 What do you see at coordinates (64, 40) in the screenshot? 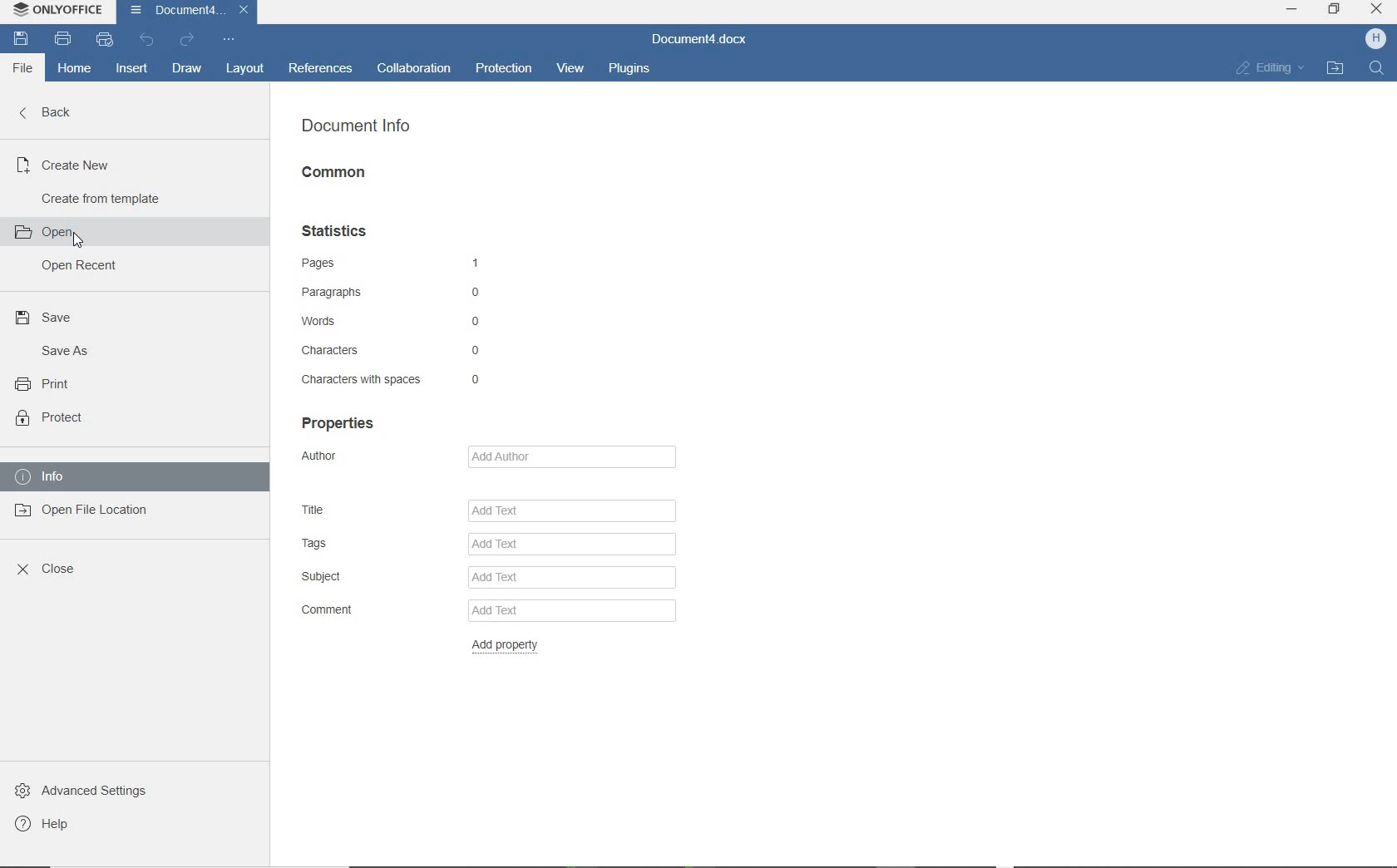
I see `print file` at bounding box center [64, 40].